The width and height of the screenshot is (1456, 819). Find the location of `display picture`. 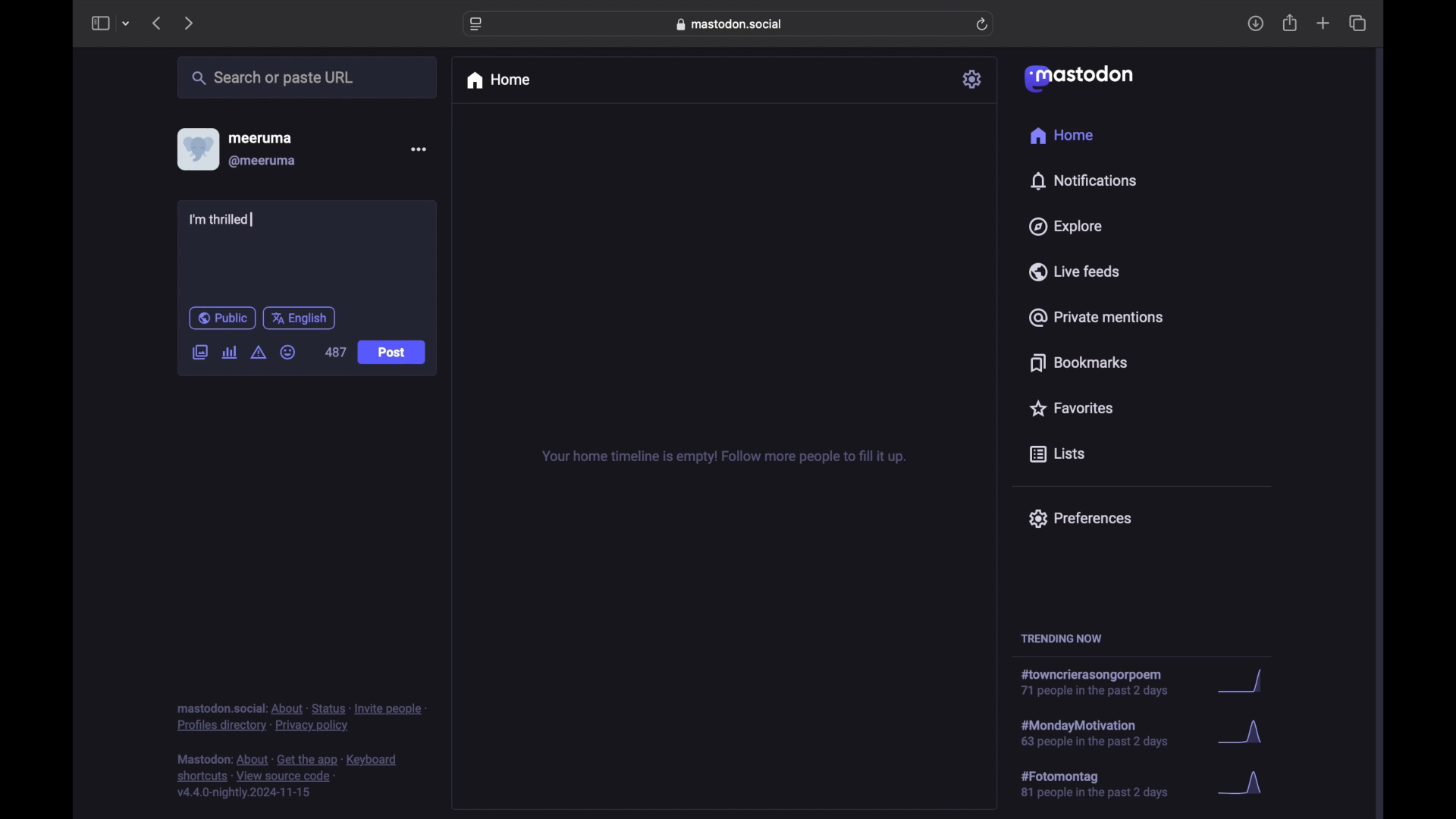

display picture is located at coordinates (196, 149).